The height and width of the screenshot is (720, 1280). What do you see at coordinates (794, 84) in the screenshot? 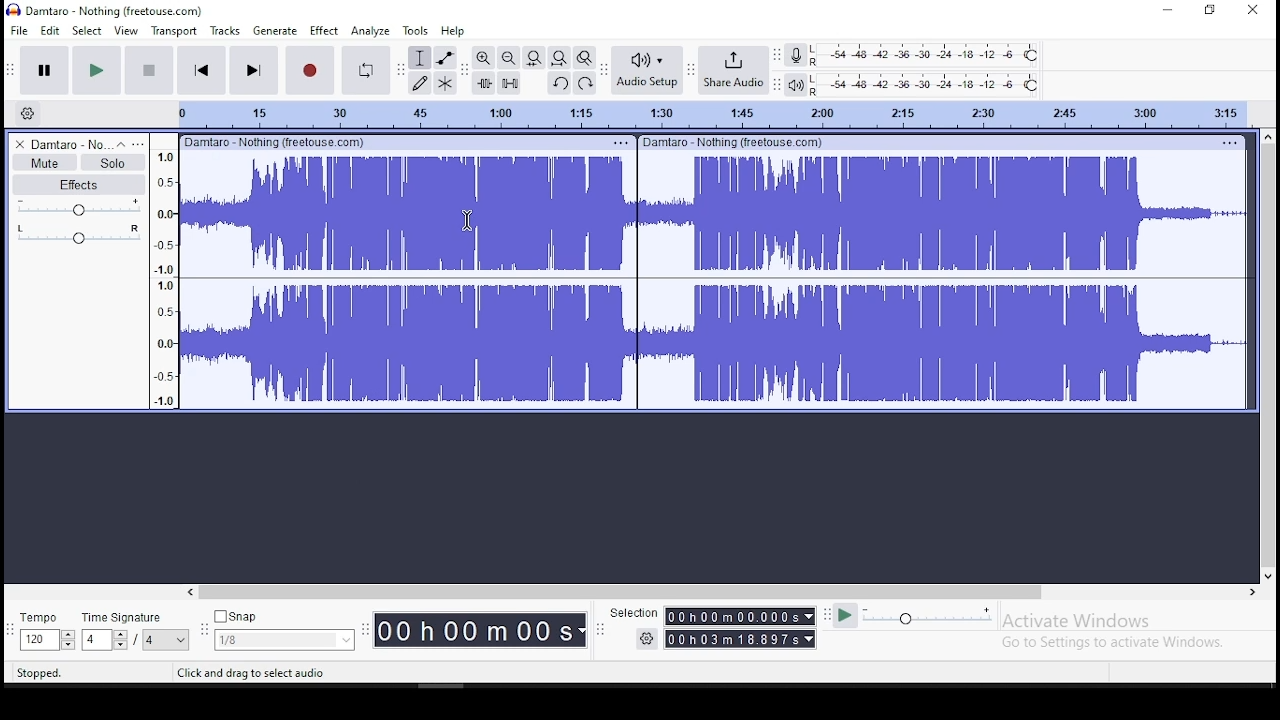
I see `playback meter` at bounding box center [794, 84].